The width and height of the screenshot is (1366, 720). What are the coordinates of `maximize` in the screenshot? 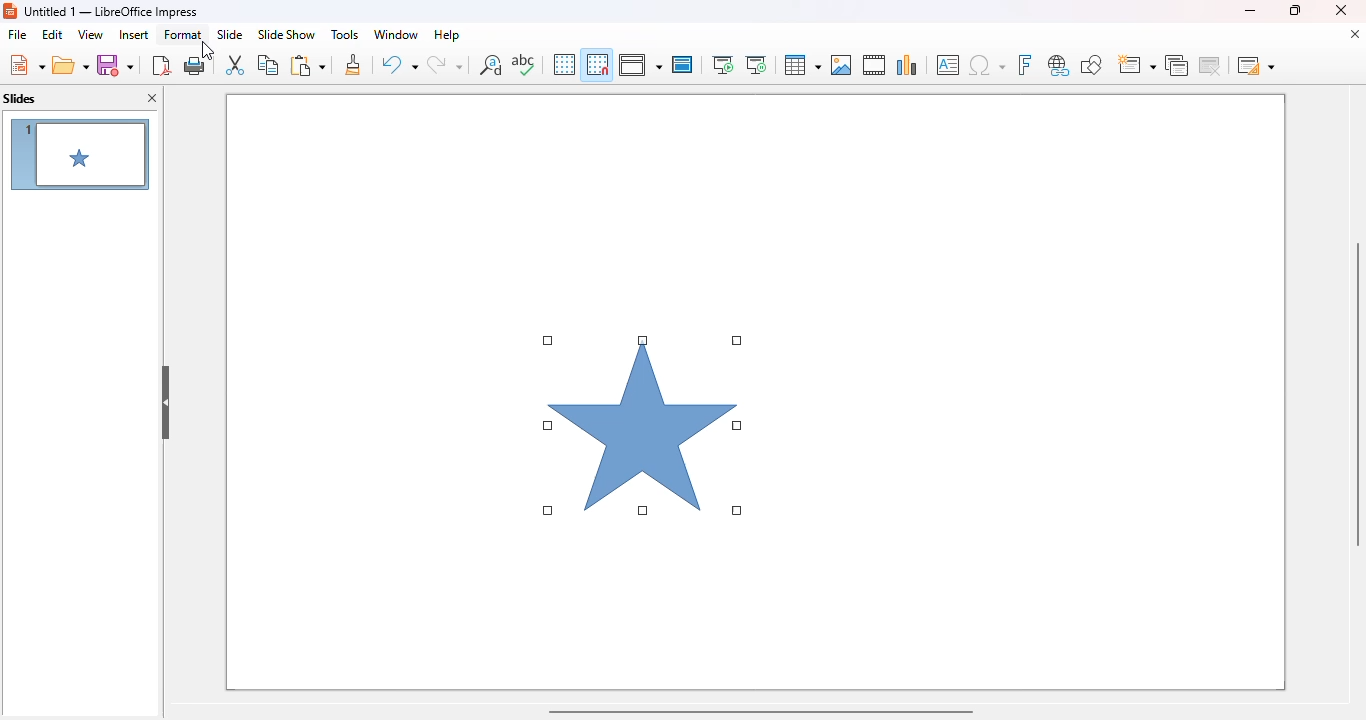 It's located at (1293, 10).